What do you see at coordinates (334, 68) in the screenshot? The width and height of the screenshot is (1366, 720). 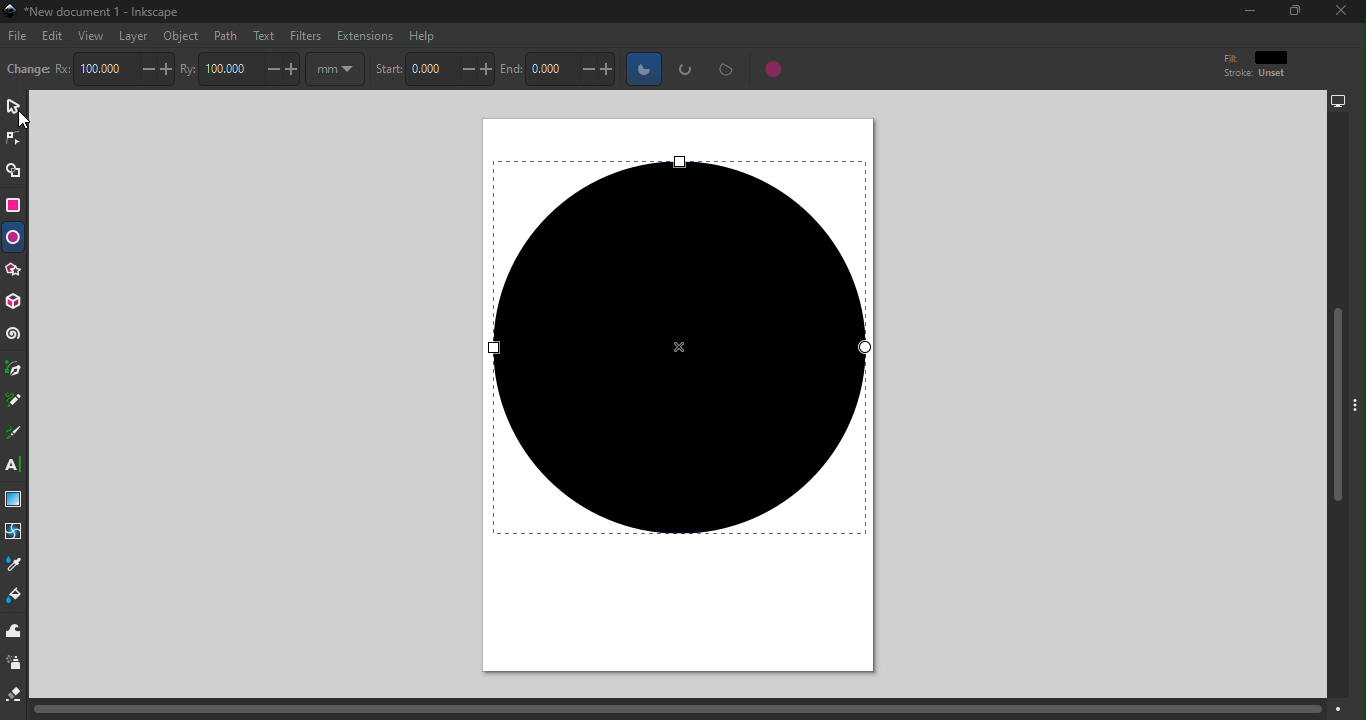 I see `Unit` at bounding box center [334, 68].